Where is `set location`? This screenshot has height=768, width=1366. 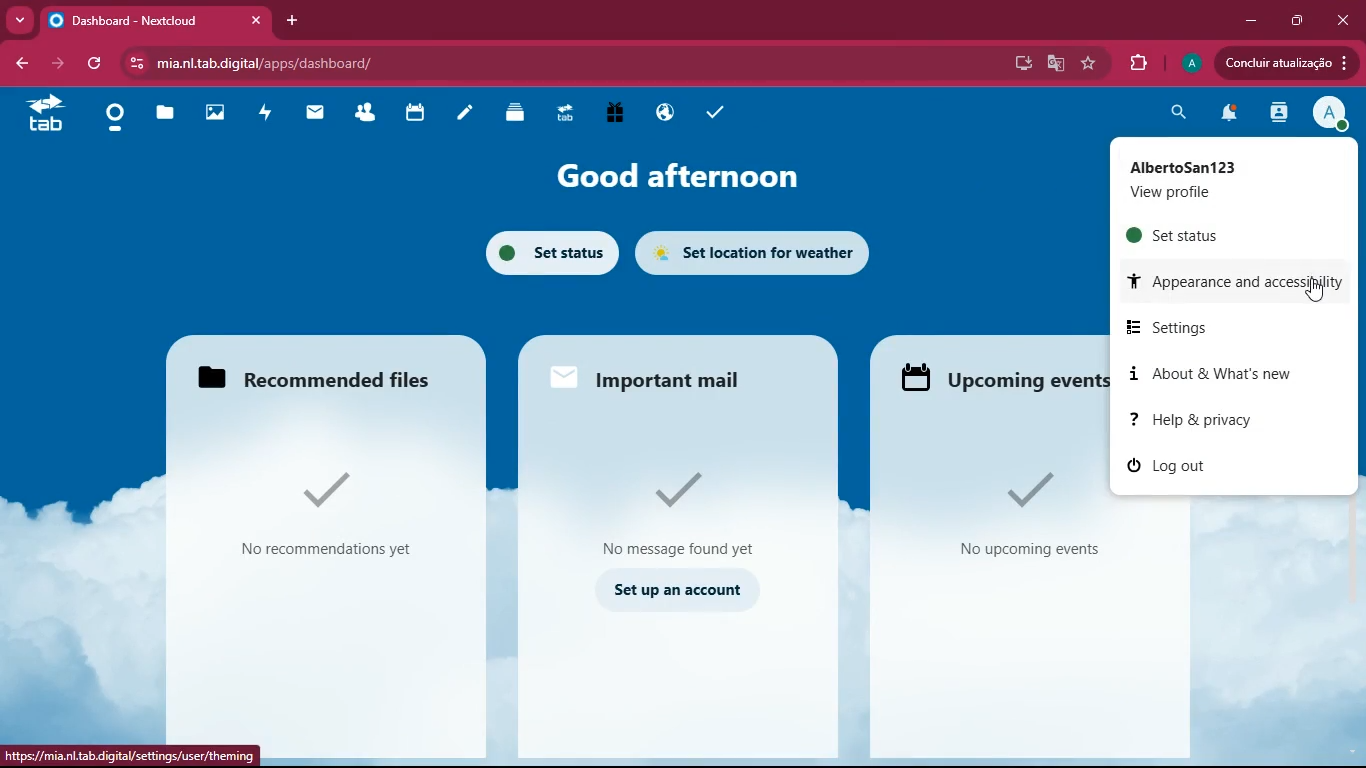 set location is located at coordinates (756, 252).